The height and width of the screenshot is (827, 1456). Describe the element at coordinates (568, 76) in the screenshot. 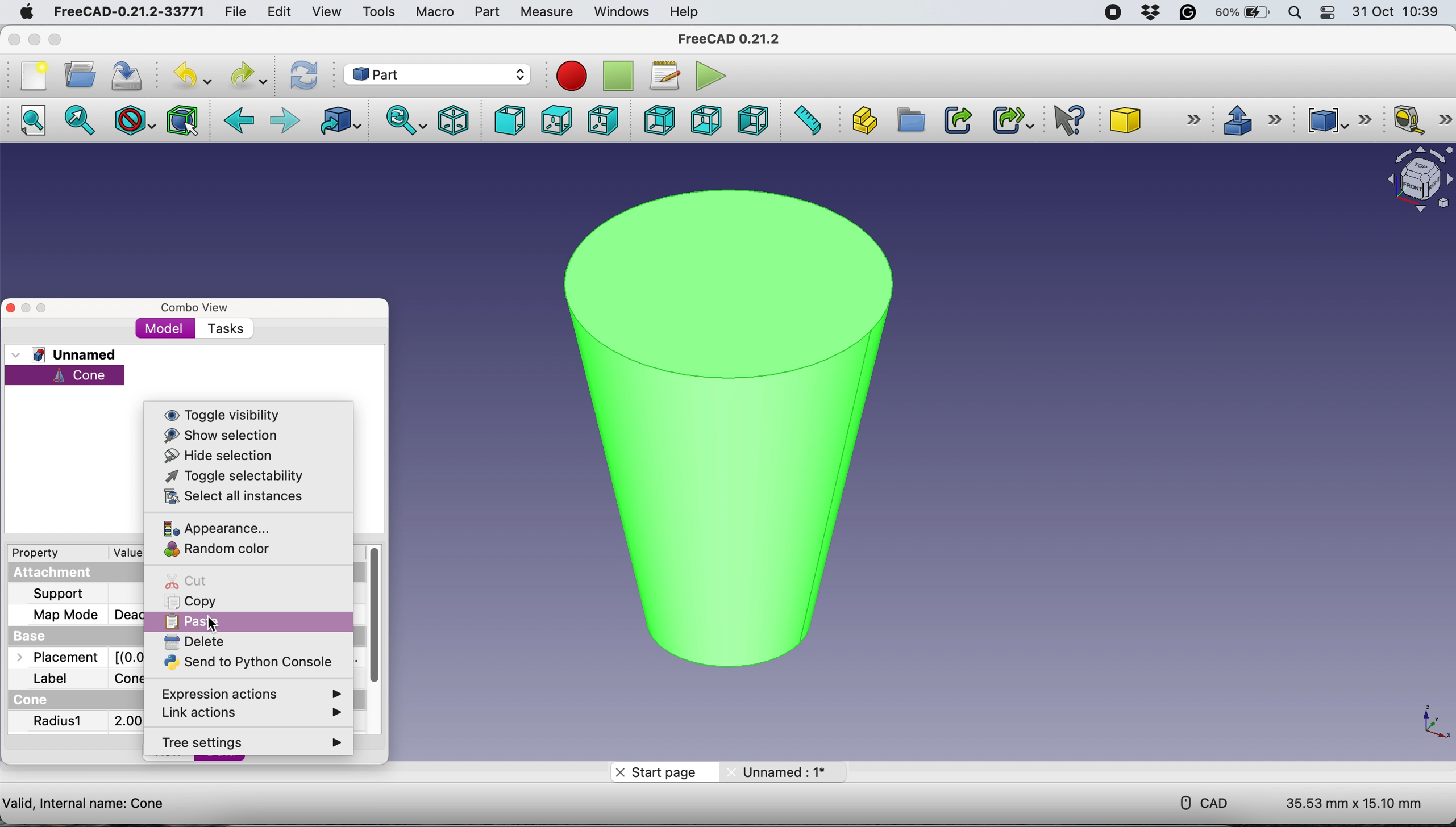

I see `stop macros` at that location.